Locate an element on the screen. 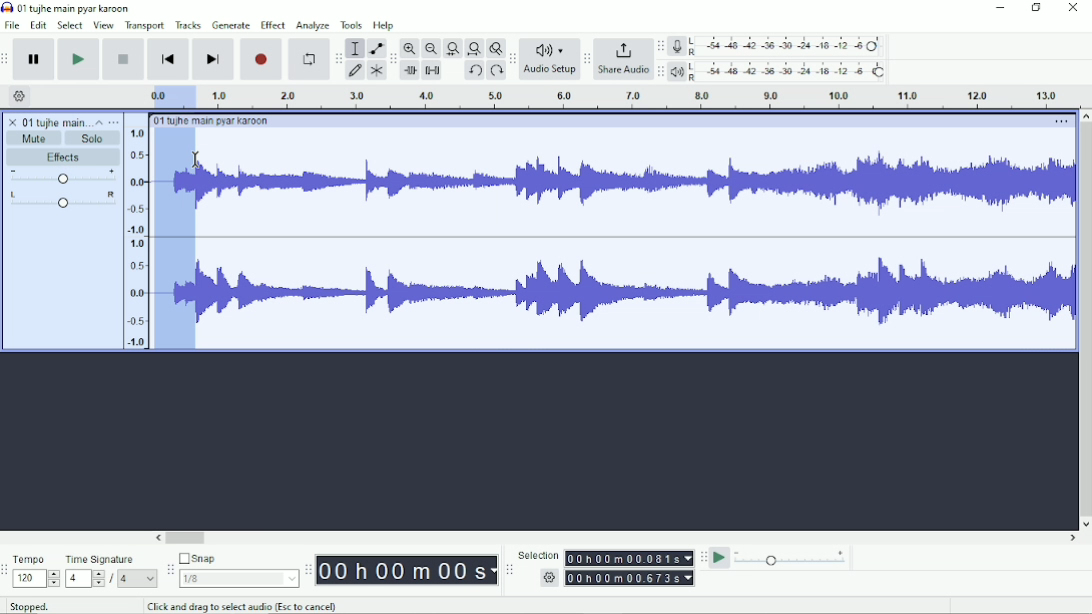 This screenshot has width=1092, height=614. Play is located at coordinates (78, 59).